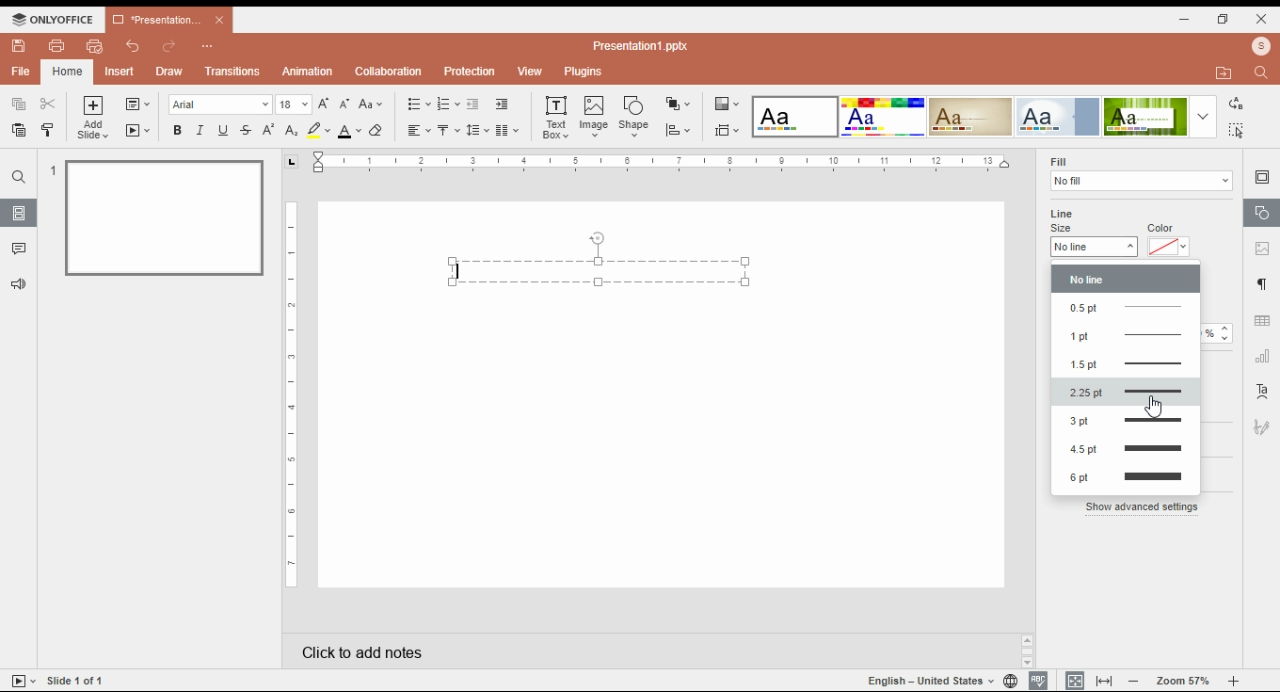 The height and width of the screenshot is (692, 1280). Describe the element at coordinates (1260, 46) in the screenshot. I see `profile` at that location.